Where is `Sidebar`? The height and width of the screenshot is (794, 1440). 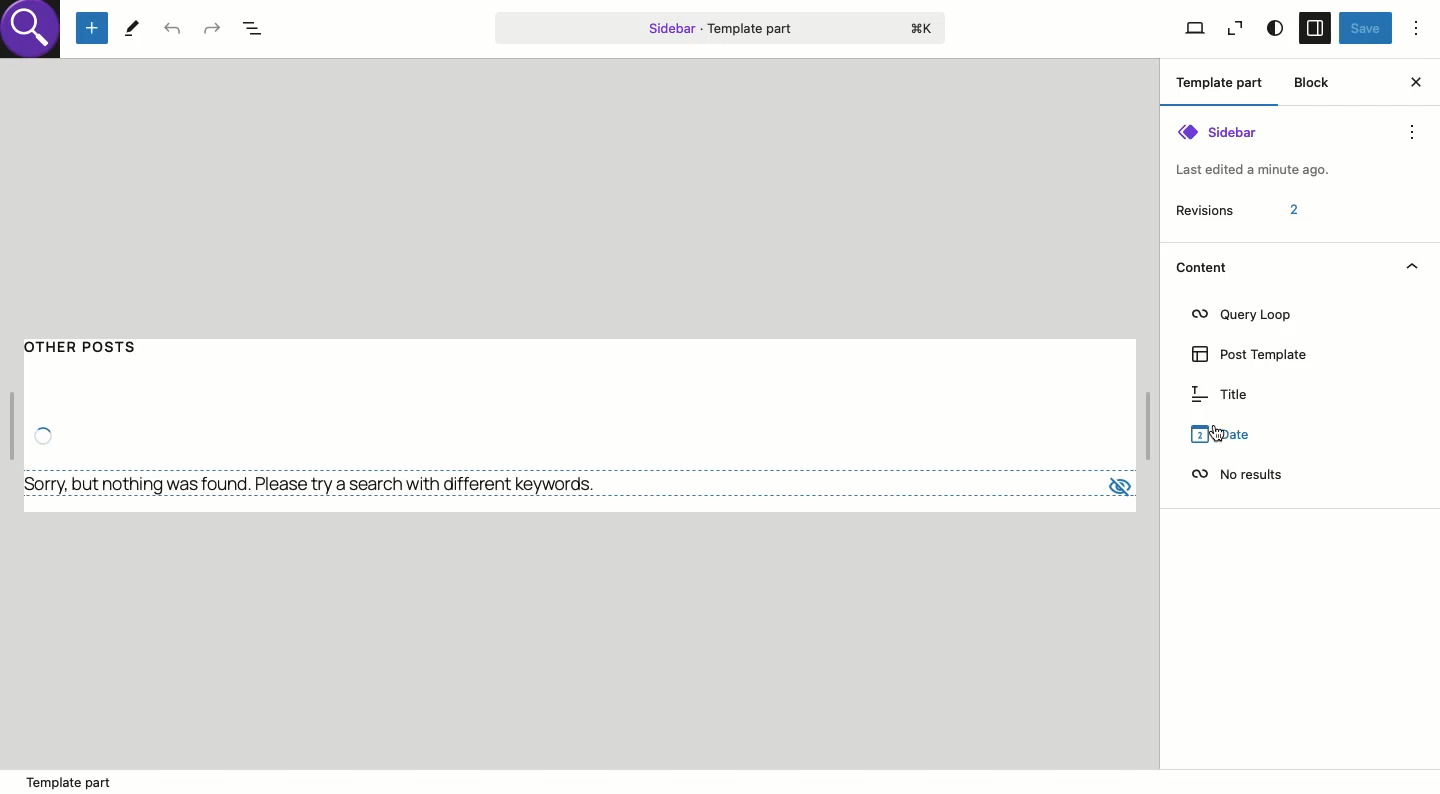
Sidebar is located at coordinates (1255, 150).